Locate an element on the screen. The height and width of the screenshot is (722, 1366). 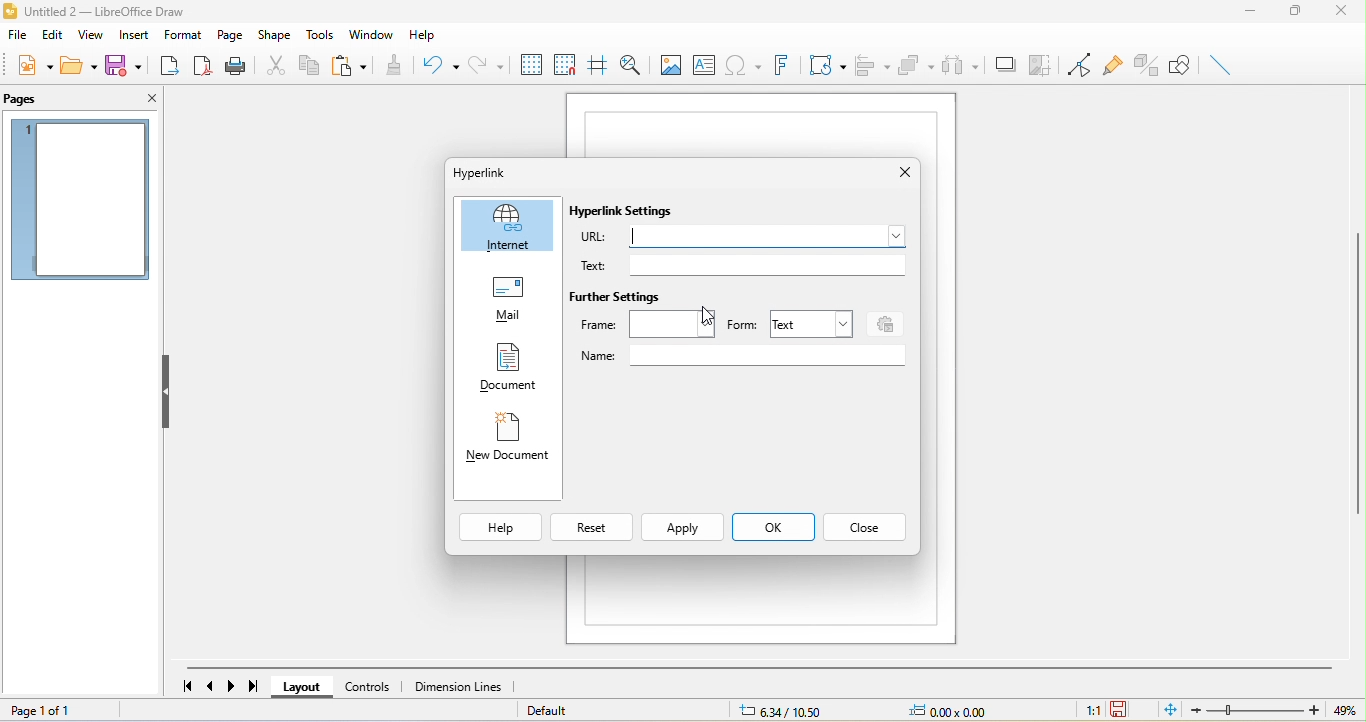
ok is located at coordinates (775, 526).